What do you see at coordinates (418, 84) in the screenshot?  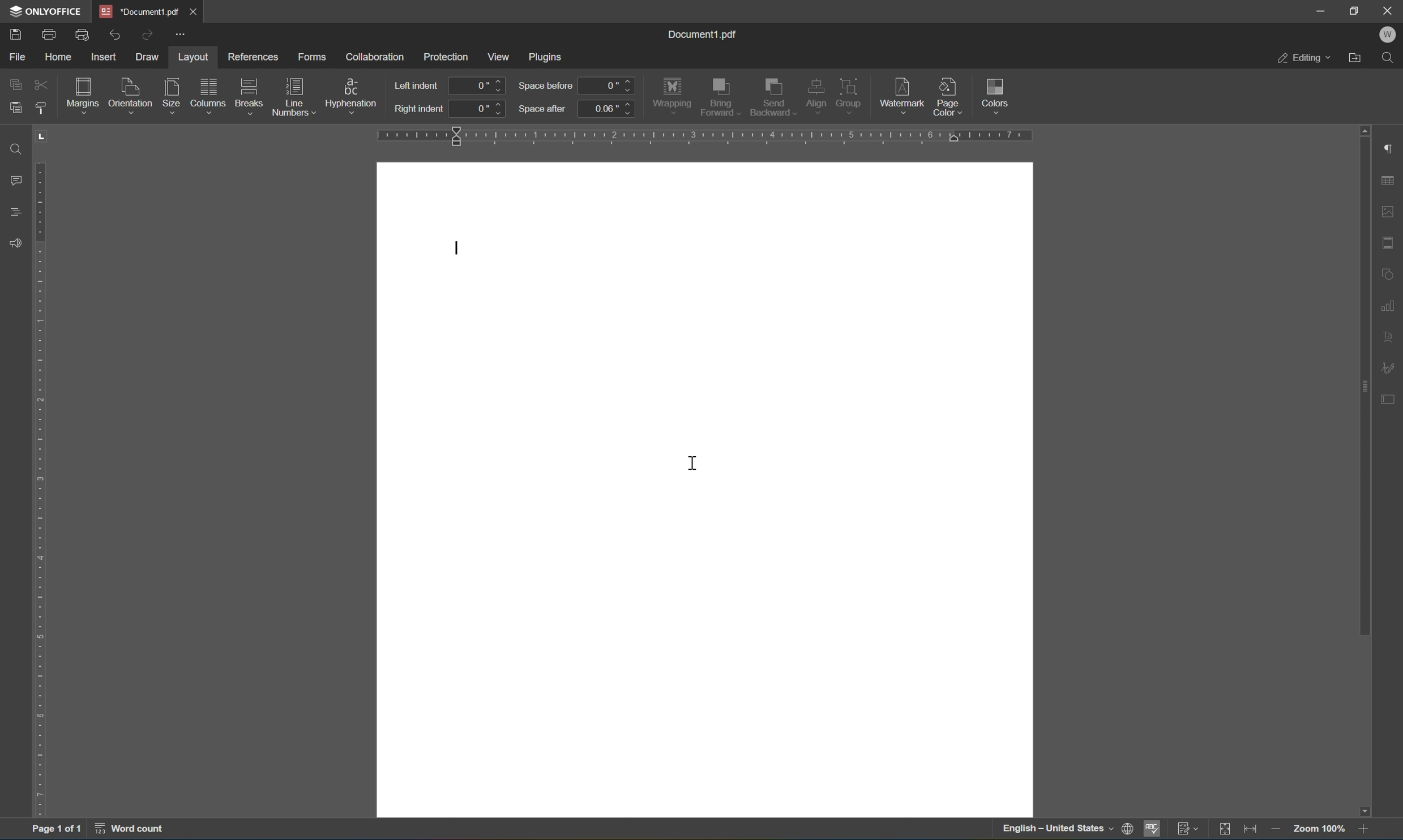 I see `left indent` at bounding box center [418, 84].